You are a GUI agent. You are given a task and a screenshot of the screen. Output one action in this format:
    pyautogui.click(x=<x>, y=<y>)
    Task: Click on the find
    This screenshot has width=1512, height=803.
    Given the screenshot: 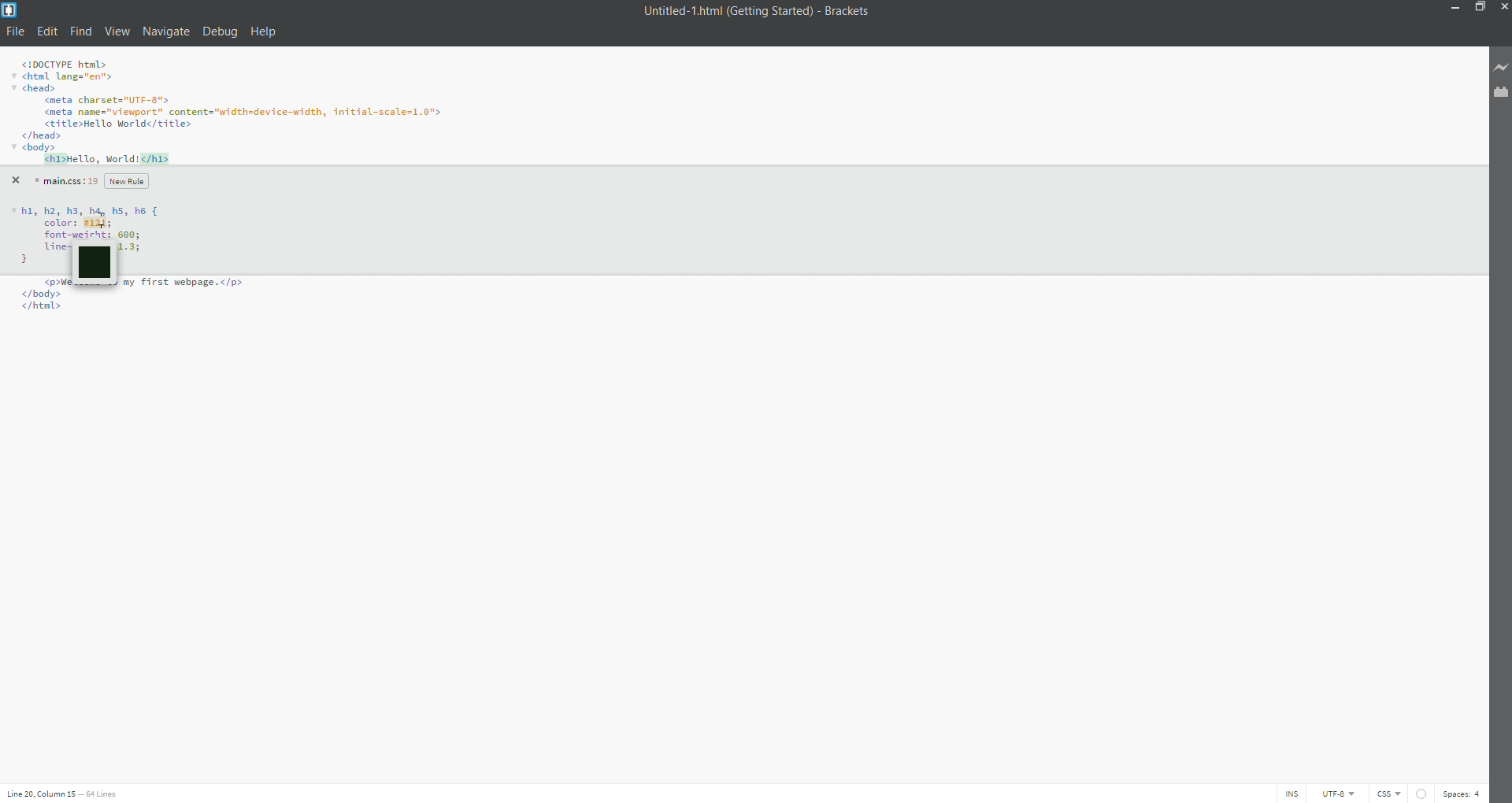 What is the action you would take?
    pyautogui.click(x=80, y=31)
    